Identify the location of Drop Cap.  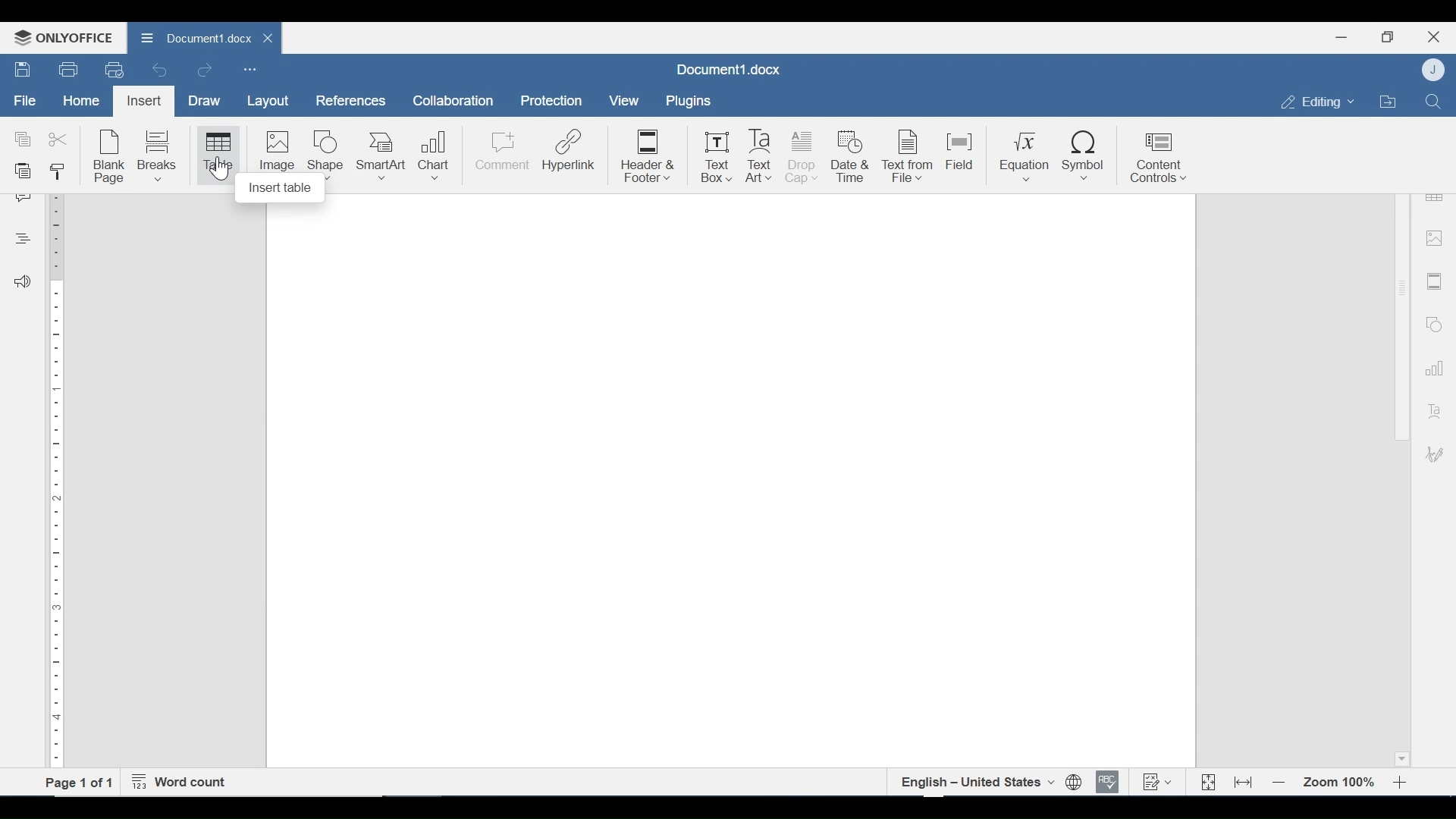
(803, 158).